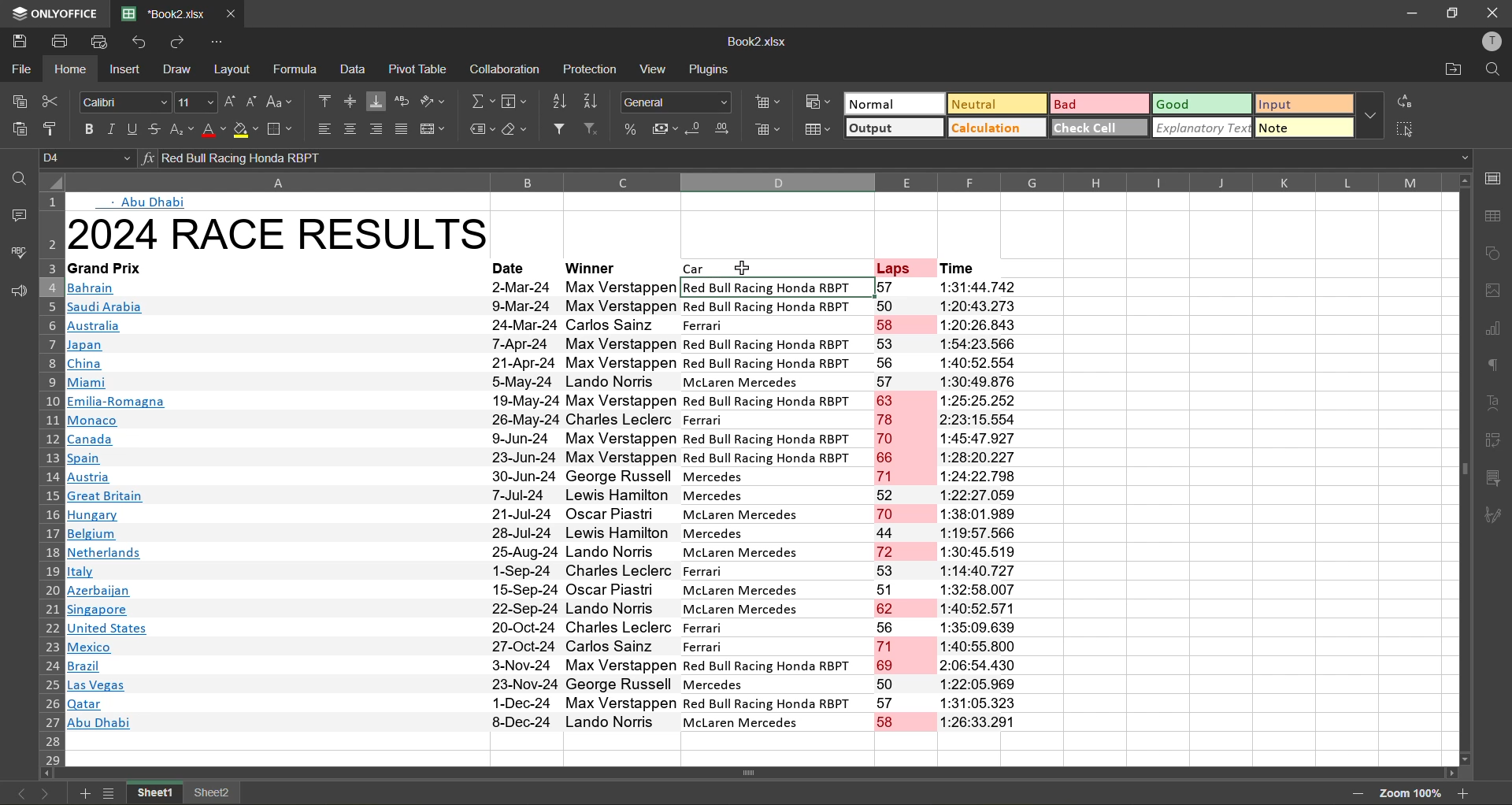 The image size is (1512, 805). What do you see at coordinates (17, 216) in the screenshot?
I see `comments` at bounding box center [17, 216].